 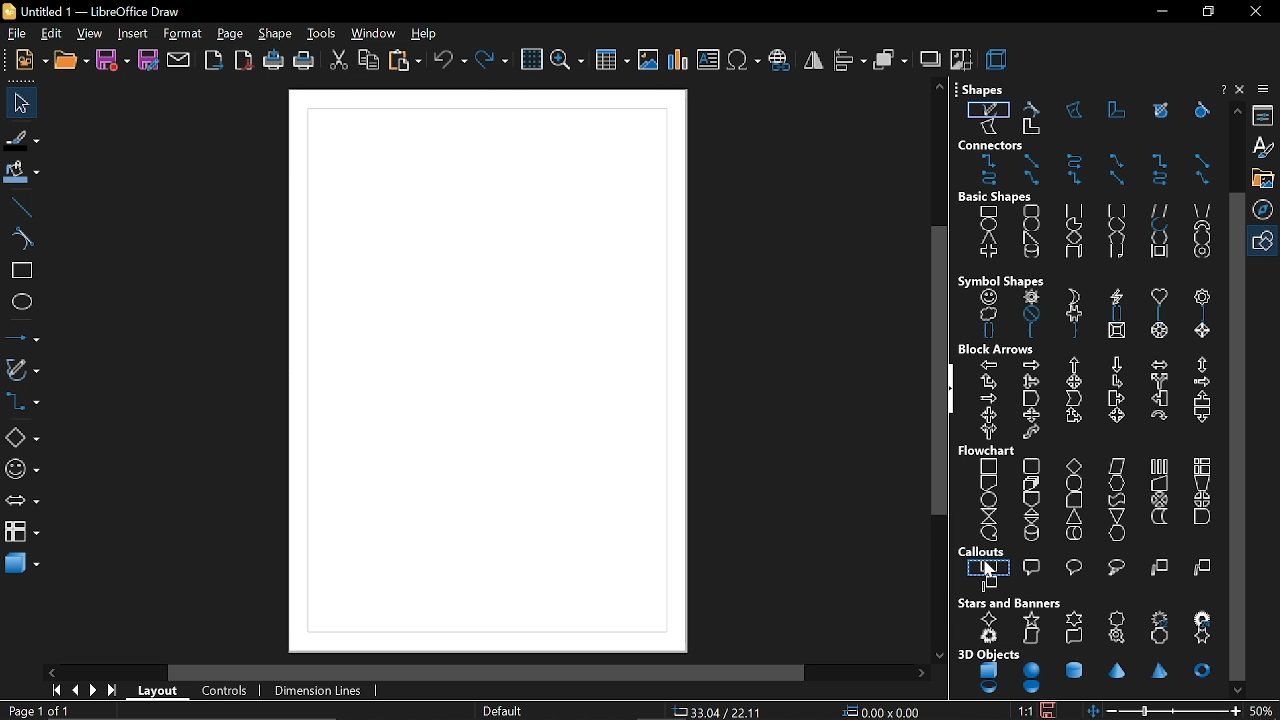 What do you see at coordinates (1158, 415) in the screenshot?
I see `circular arrow` at bounding box center [1158, 415].